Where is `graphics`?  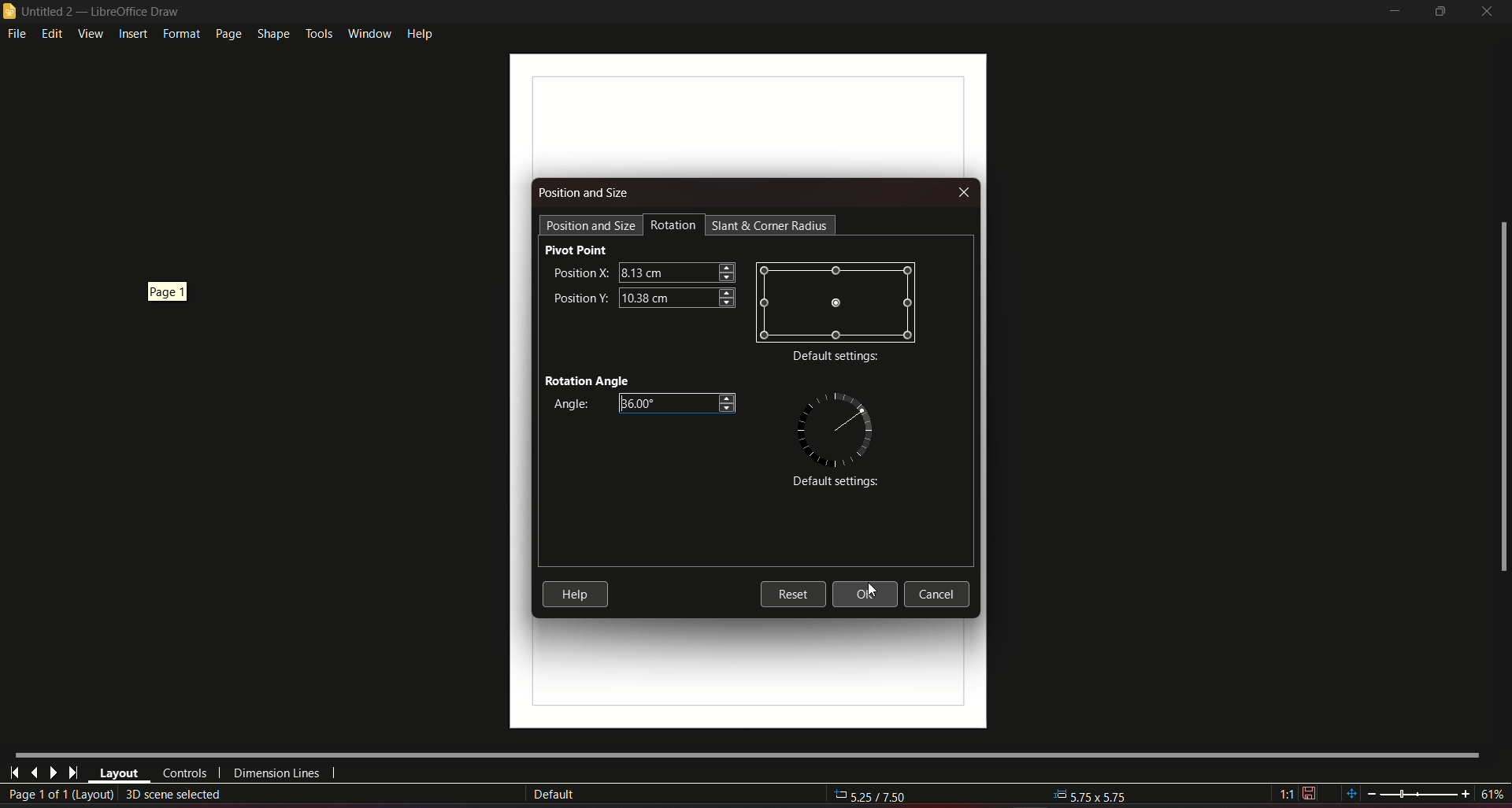
graphics is located at coordinates (836, 427).